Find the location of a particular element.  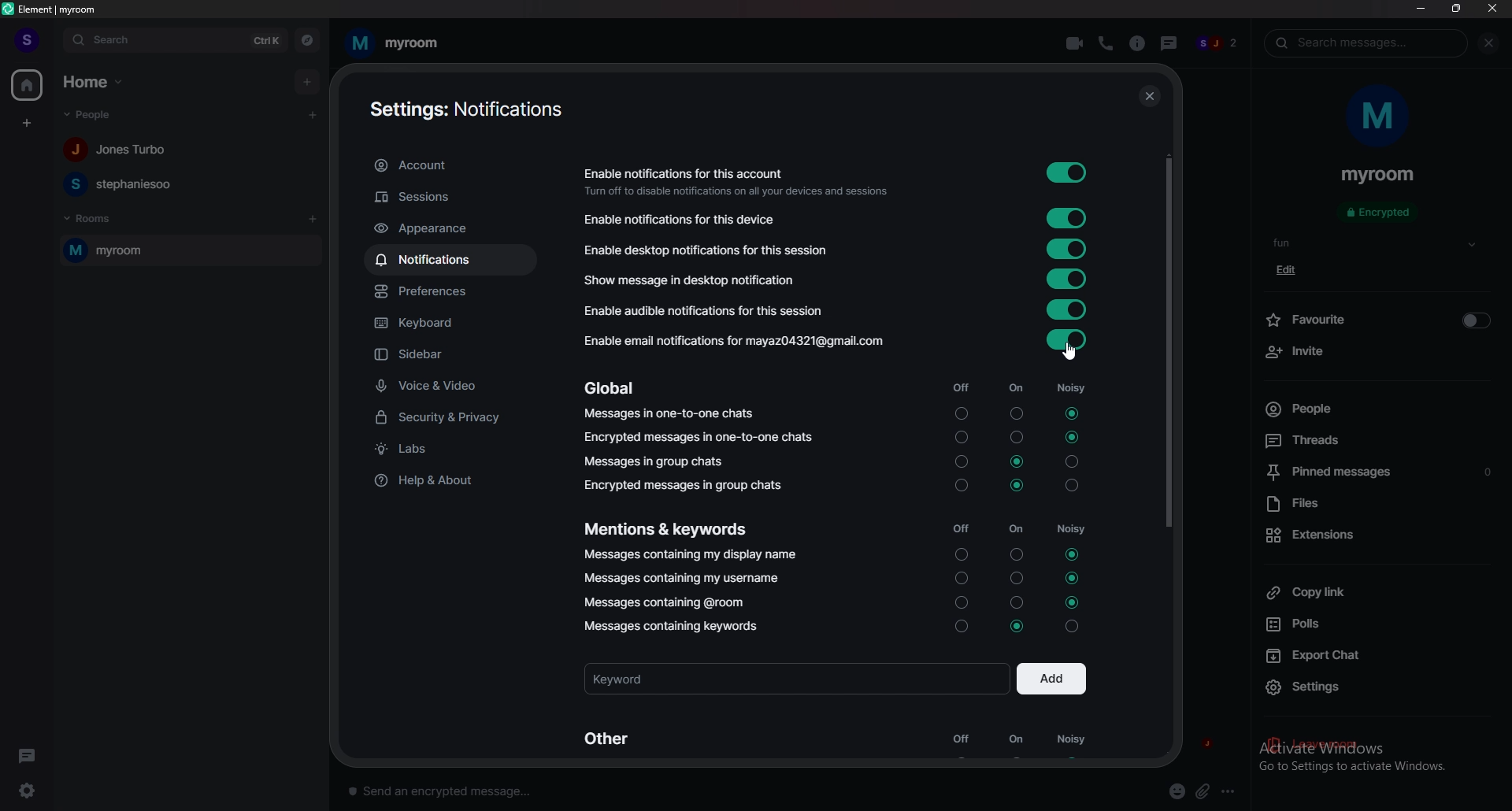

home is located at coordinates (94, 83).